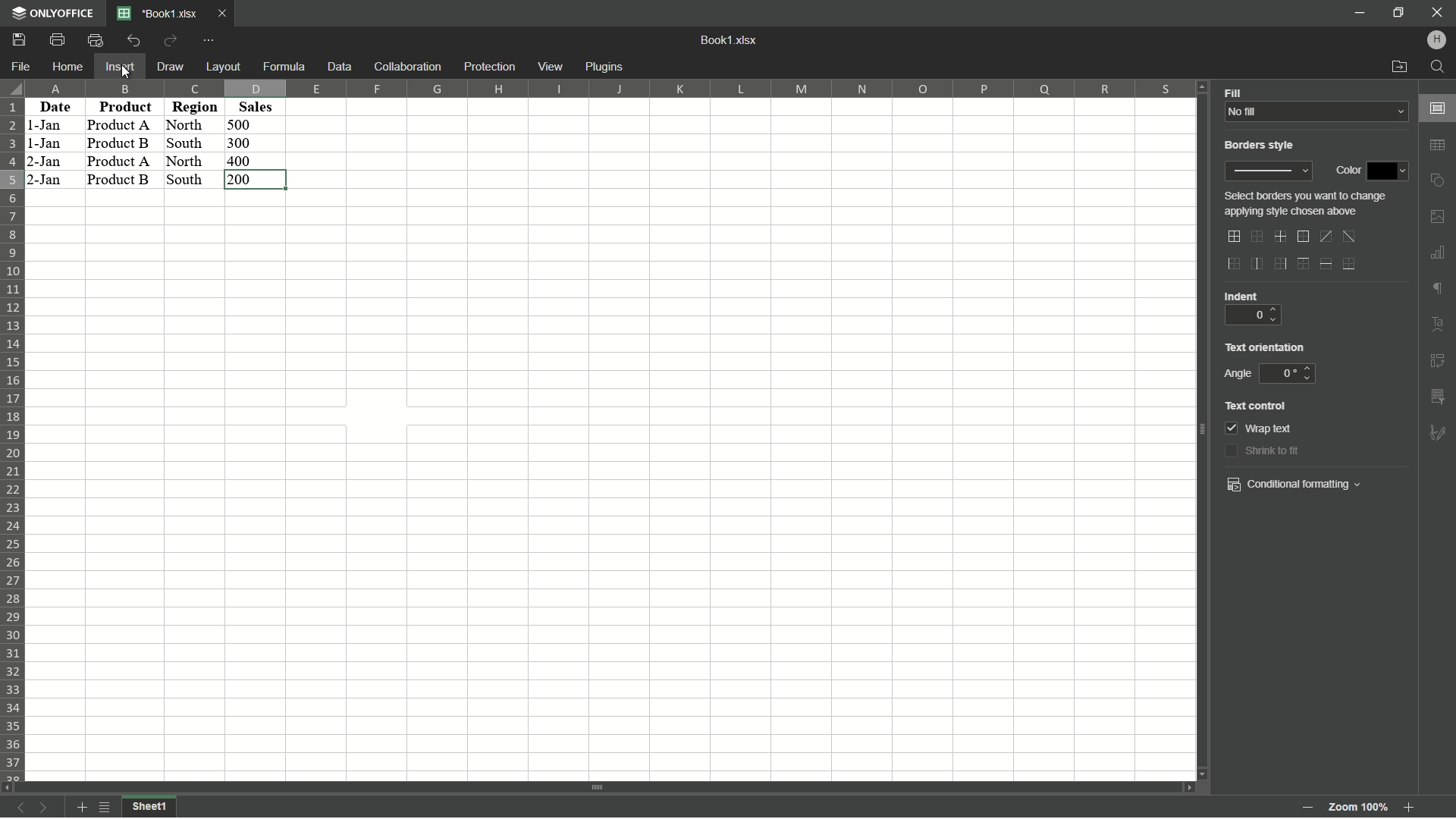 Image resolution: width=1456 pixels, height=819 pixels. Describe the element at coordinates (1439, 362) in the screenshot. I see `insert pivot table` at that location.